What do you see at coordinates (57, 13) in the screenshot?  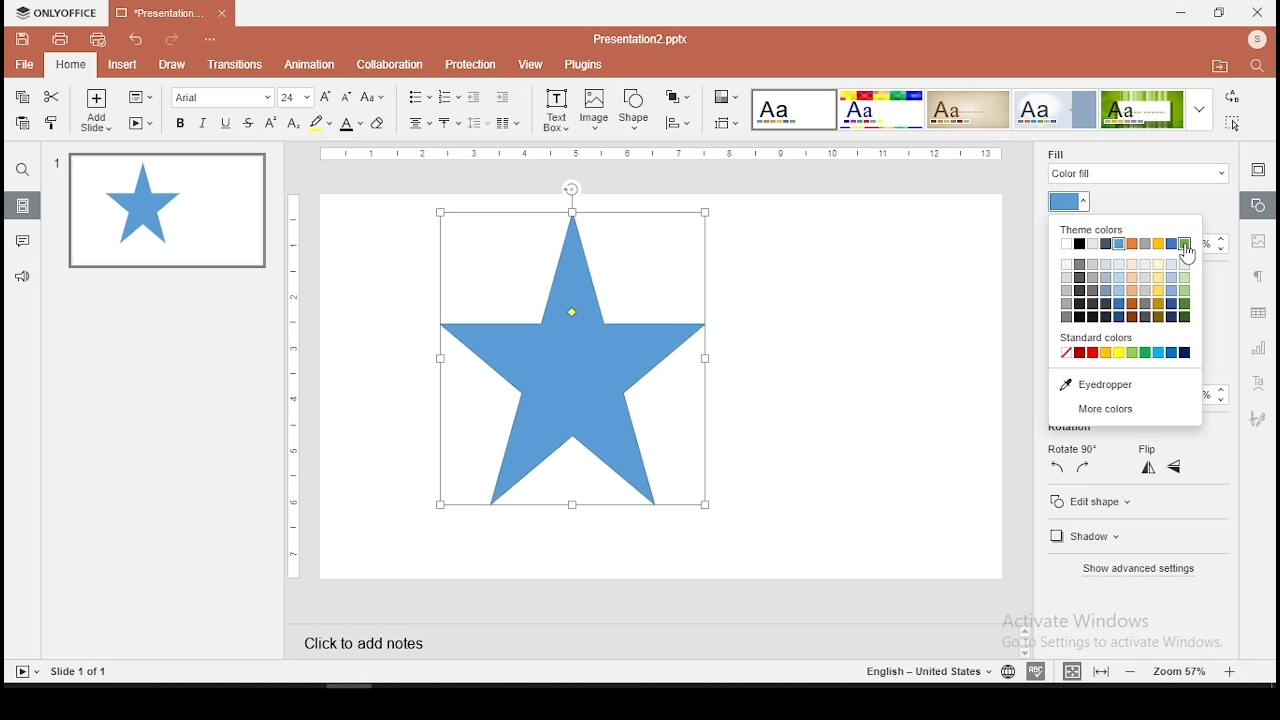 I see `icon` at bounding box center [57, 13].